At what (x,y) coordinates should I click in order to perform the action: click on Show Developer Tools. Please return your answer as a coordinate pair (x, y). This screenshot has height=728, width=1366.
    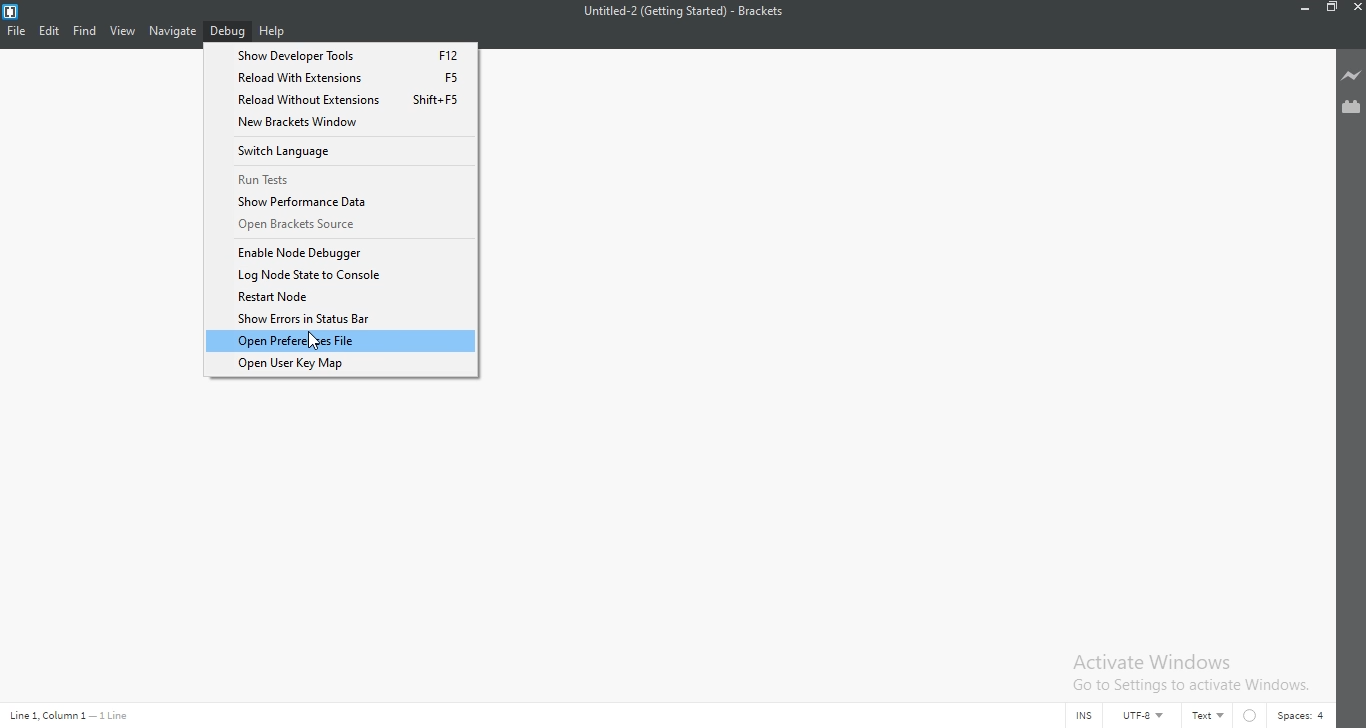
    Looking at the image, I should click on (341, 53).